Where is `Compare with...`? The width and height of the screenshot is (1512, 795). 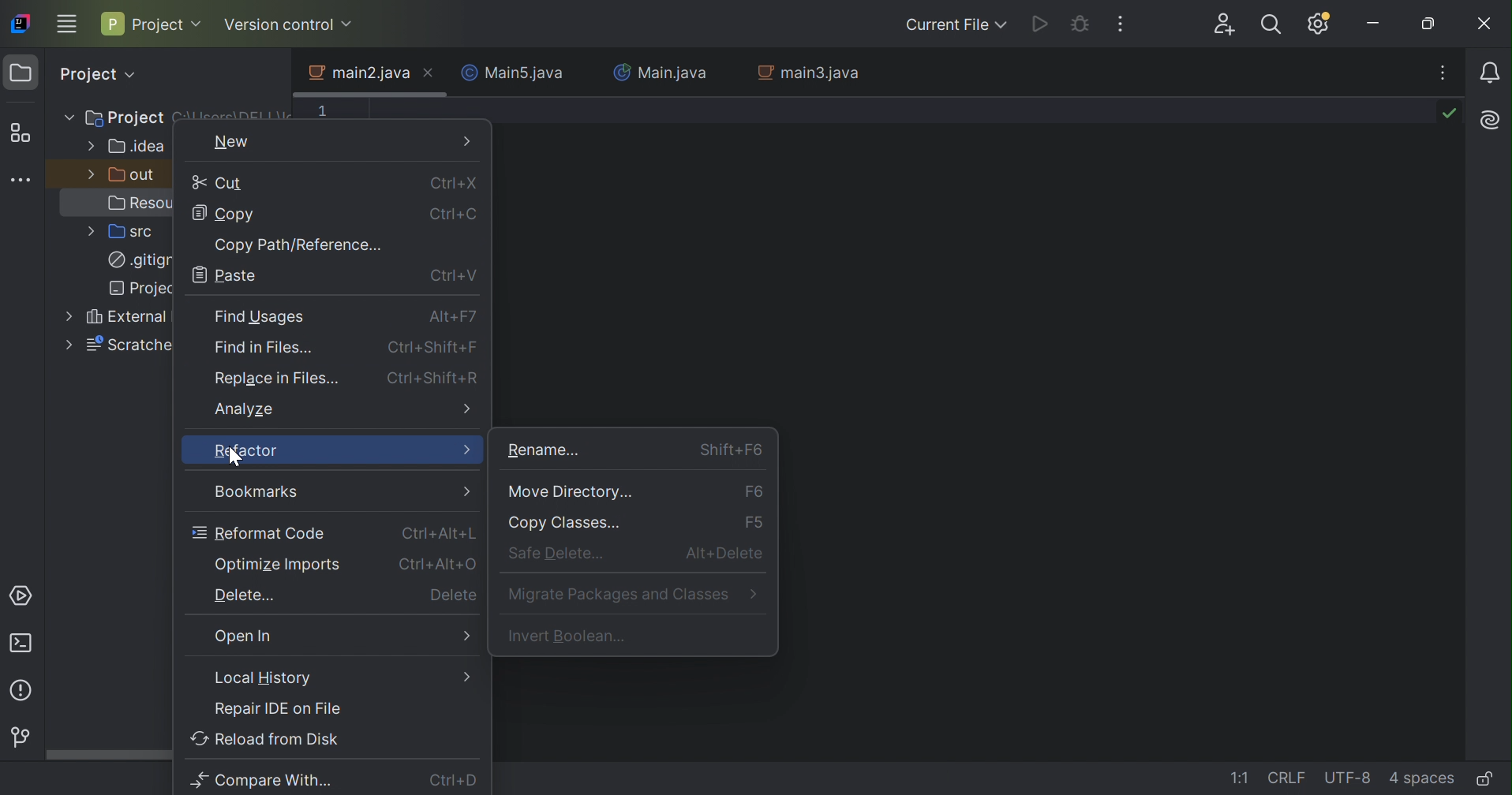 Compare with... is located at coordinates (263, 778).